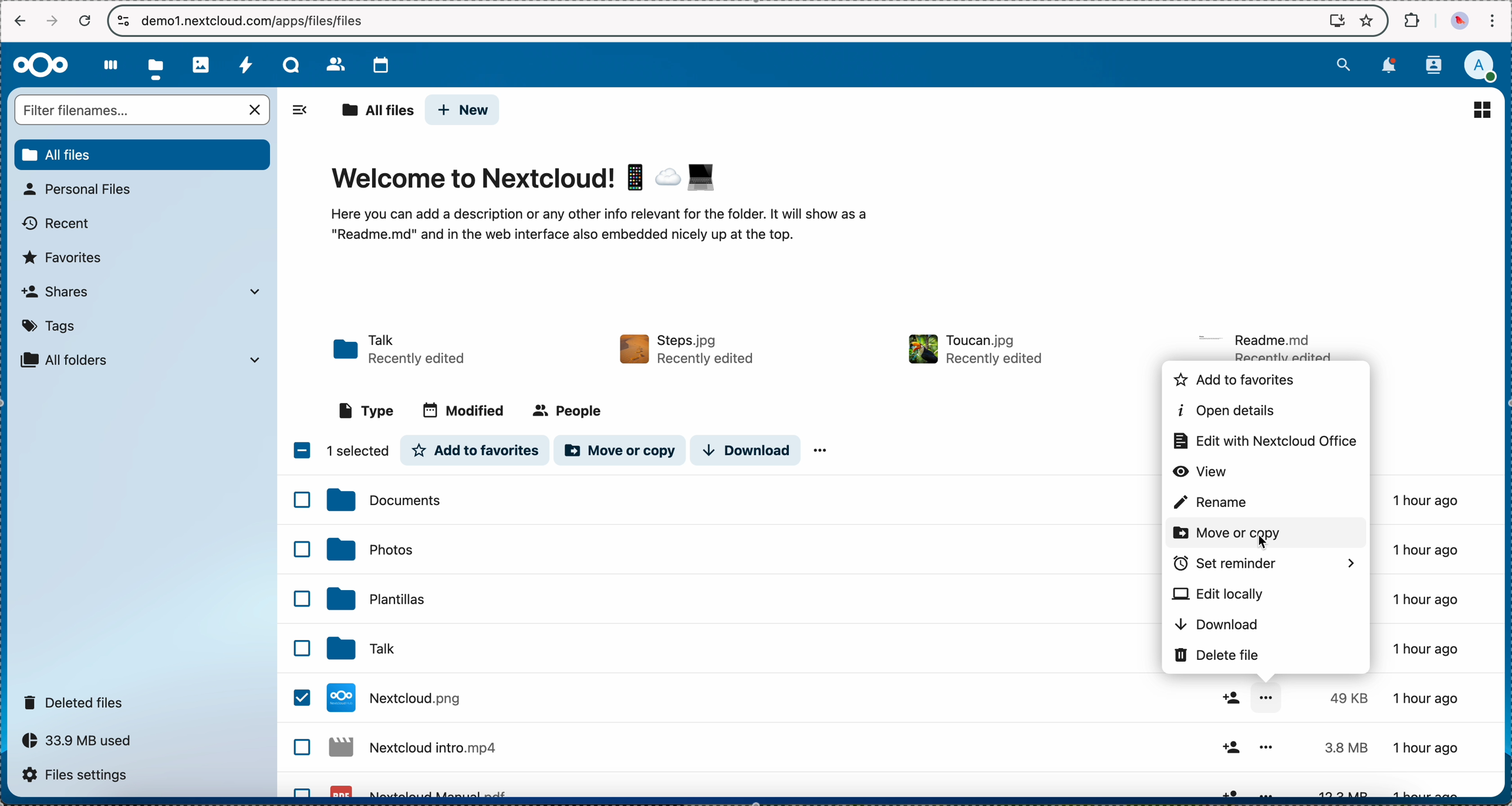  Describe the element at coordinates (400, 351) in the screenshot. I see `Talk` at that location.